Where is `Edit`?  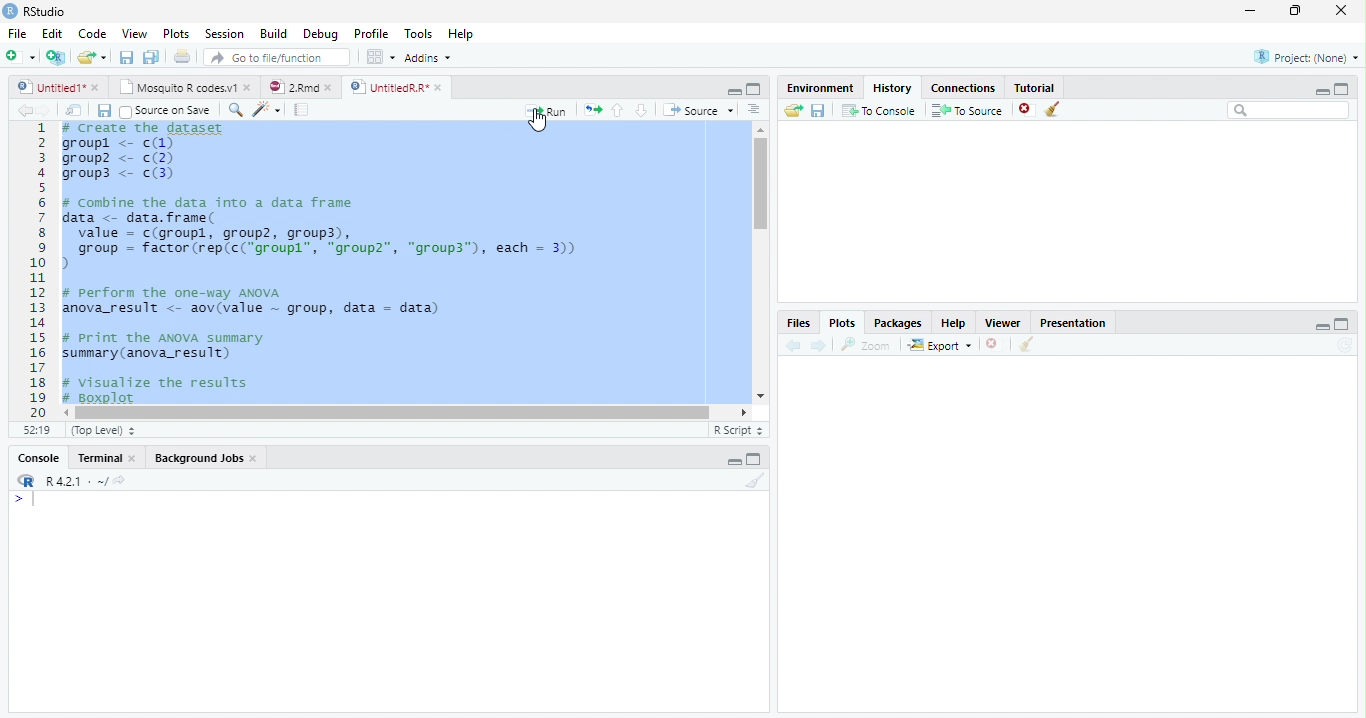
Edit is located at coordinates (51, 33).